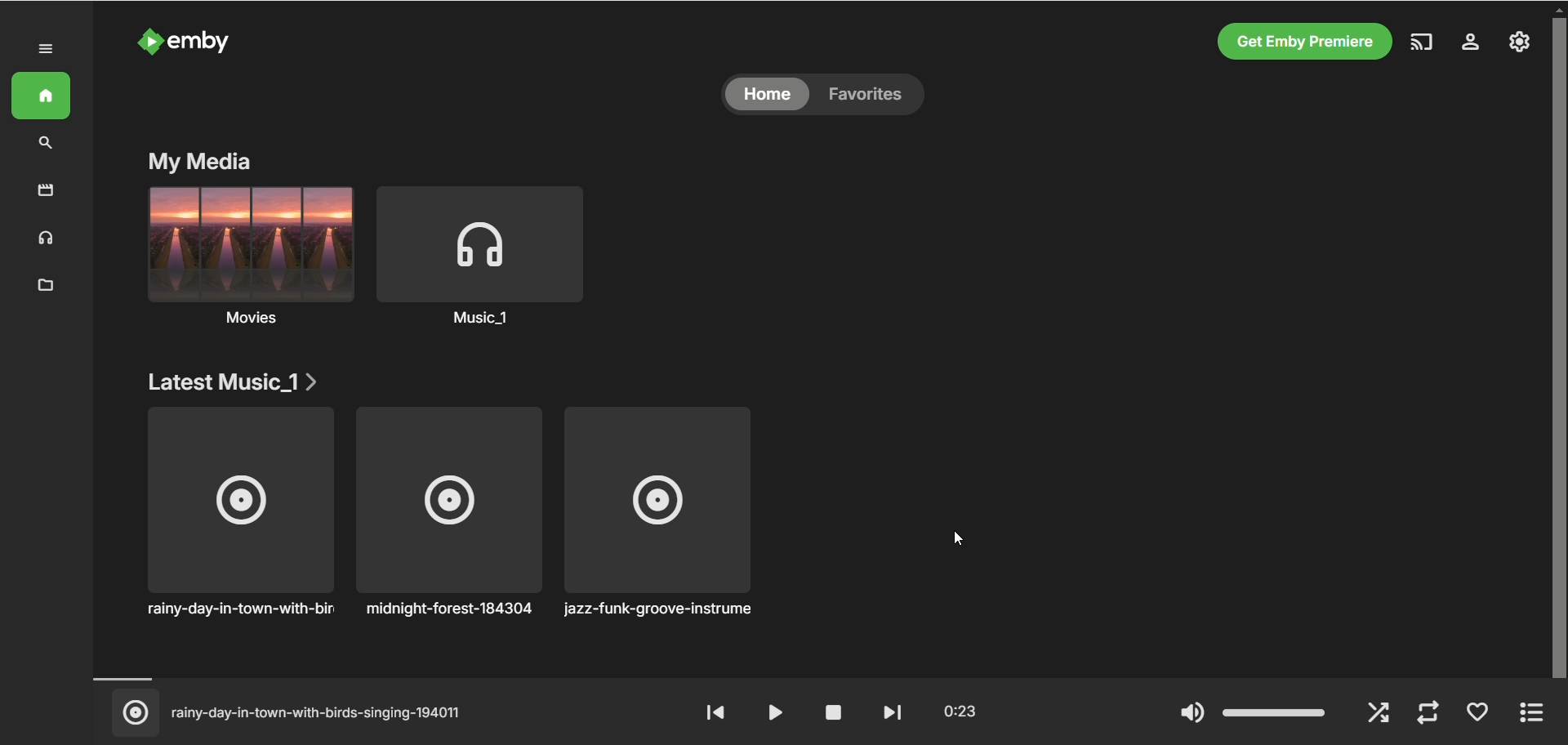 The image size is (1568, 745). What do you see at coordinates (777, 714) in the screenshot?
I see `play` at bounding box center [777, 714].